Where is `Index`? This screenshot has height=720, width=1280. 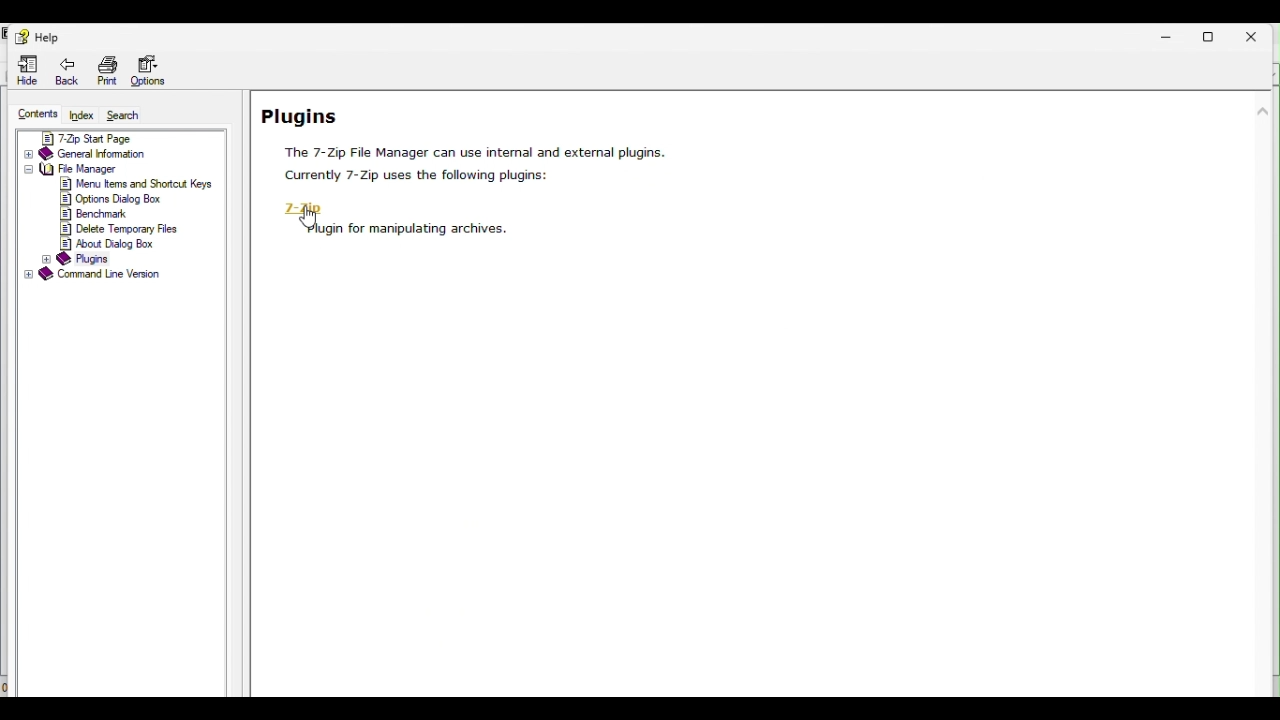 Index is located at coordinates (81, 114).